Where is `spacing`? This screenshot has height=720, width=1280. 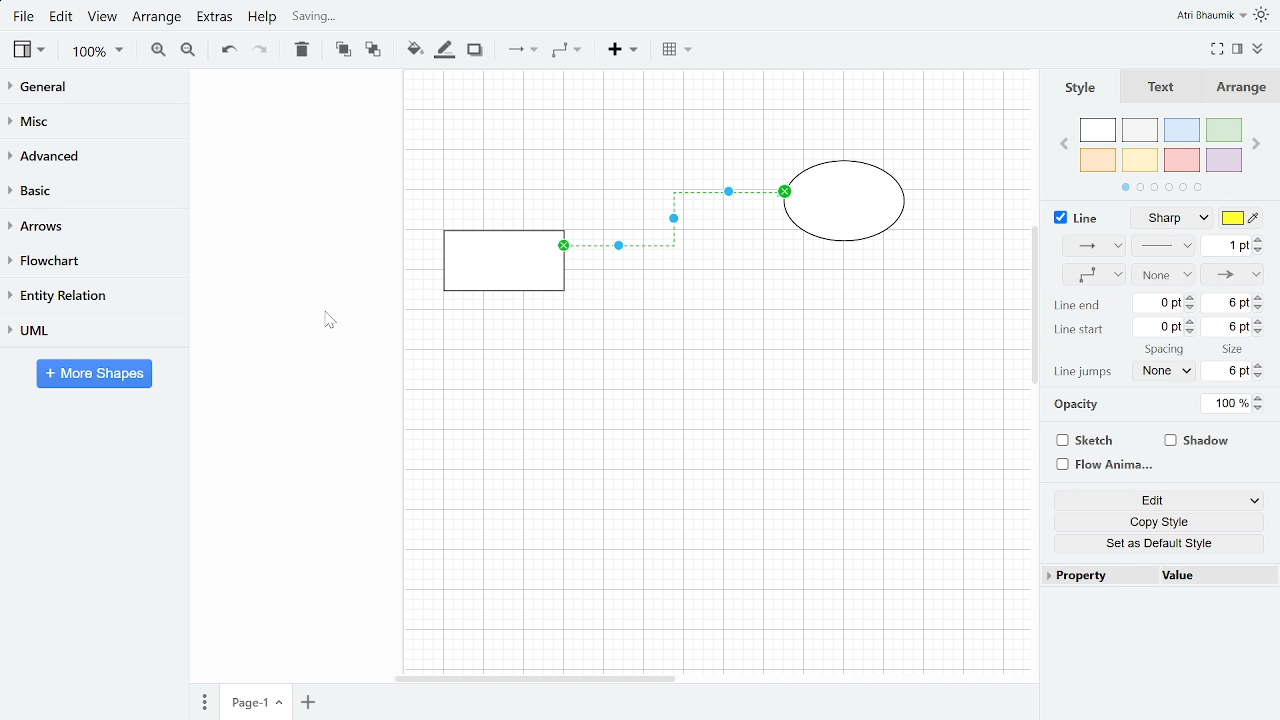
spacing is located at coordinates (1165, 349).